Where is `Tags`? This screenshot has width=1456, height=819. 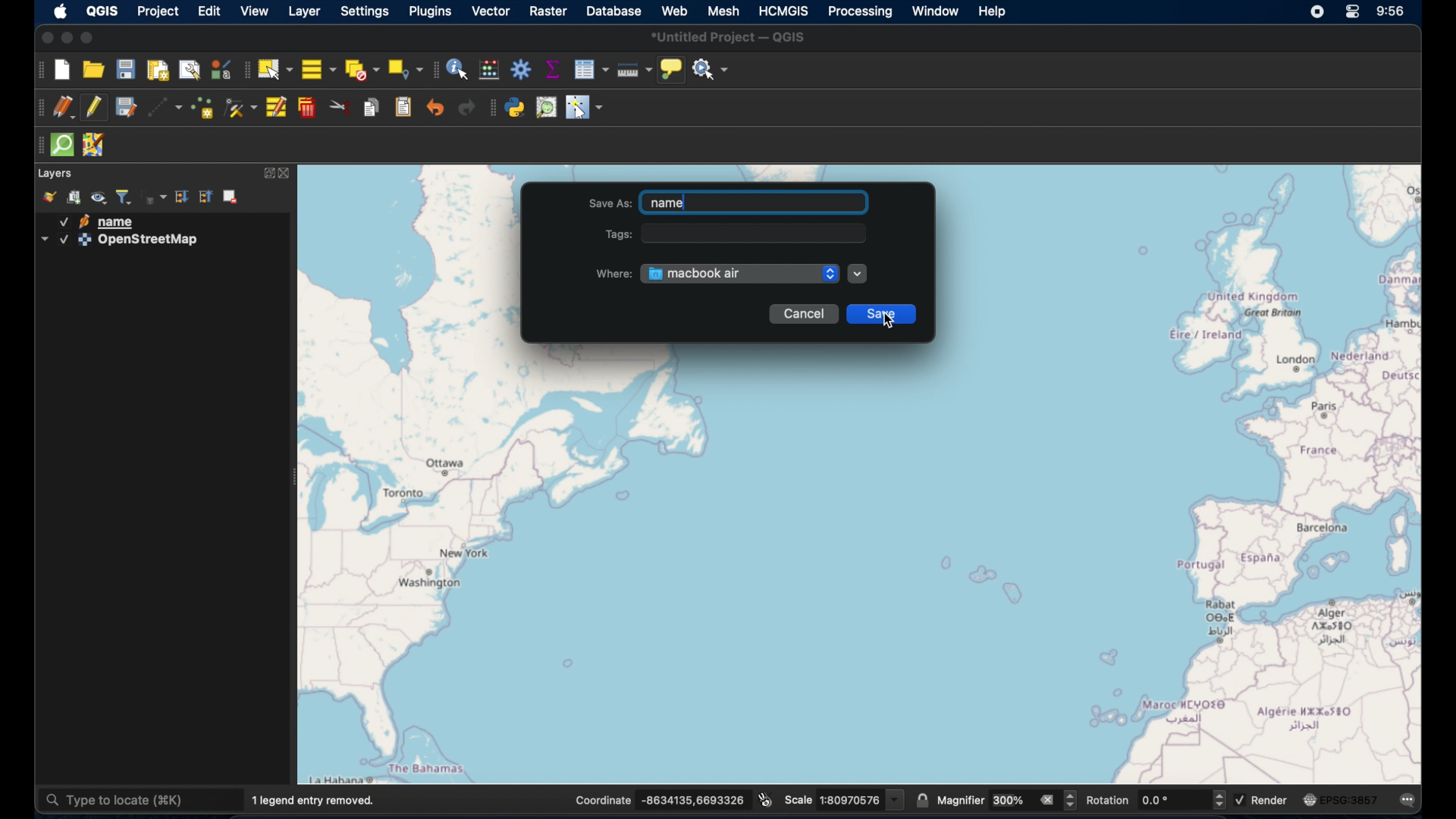
Tags is located at coordinates (740, 234).